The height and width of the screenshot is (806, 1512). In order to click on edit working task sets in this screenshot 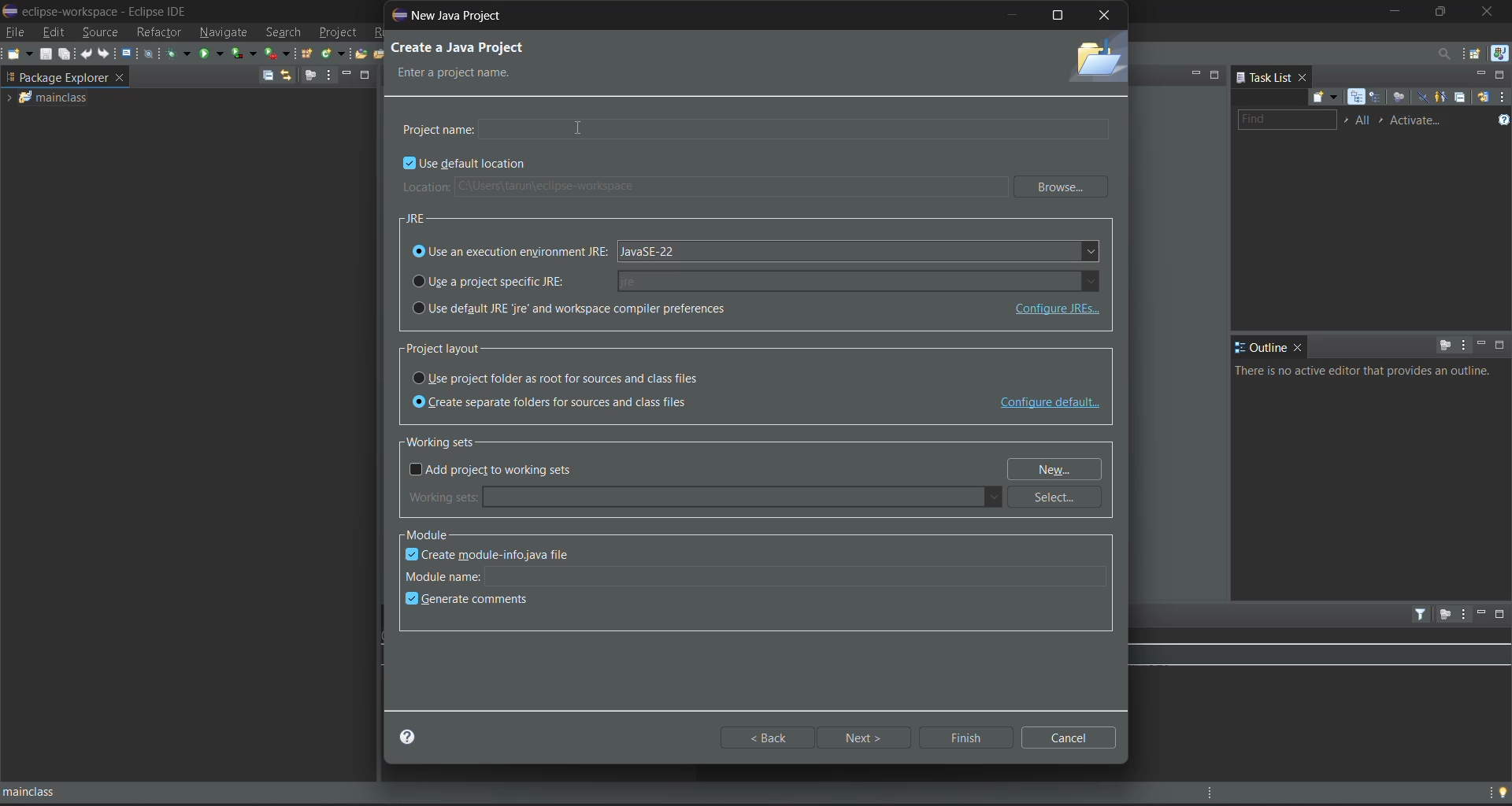, I will do `click(1365, 121)`.